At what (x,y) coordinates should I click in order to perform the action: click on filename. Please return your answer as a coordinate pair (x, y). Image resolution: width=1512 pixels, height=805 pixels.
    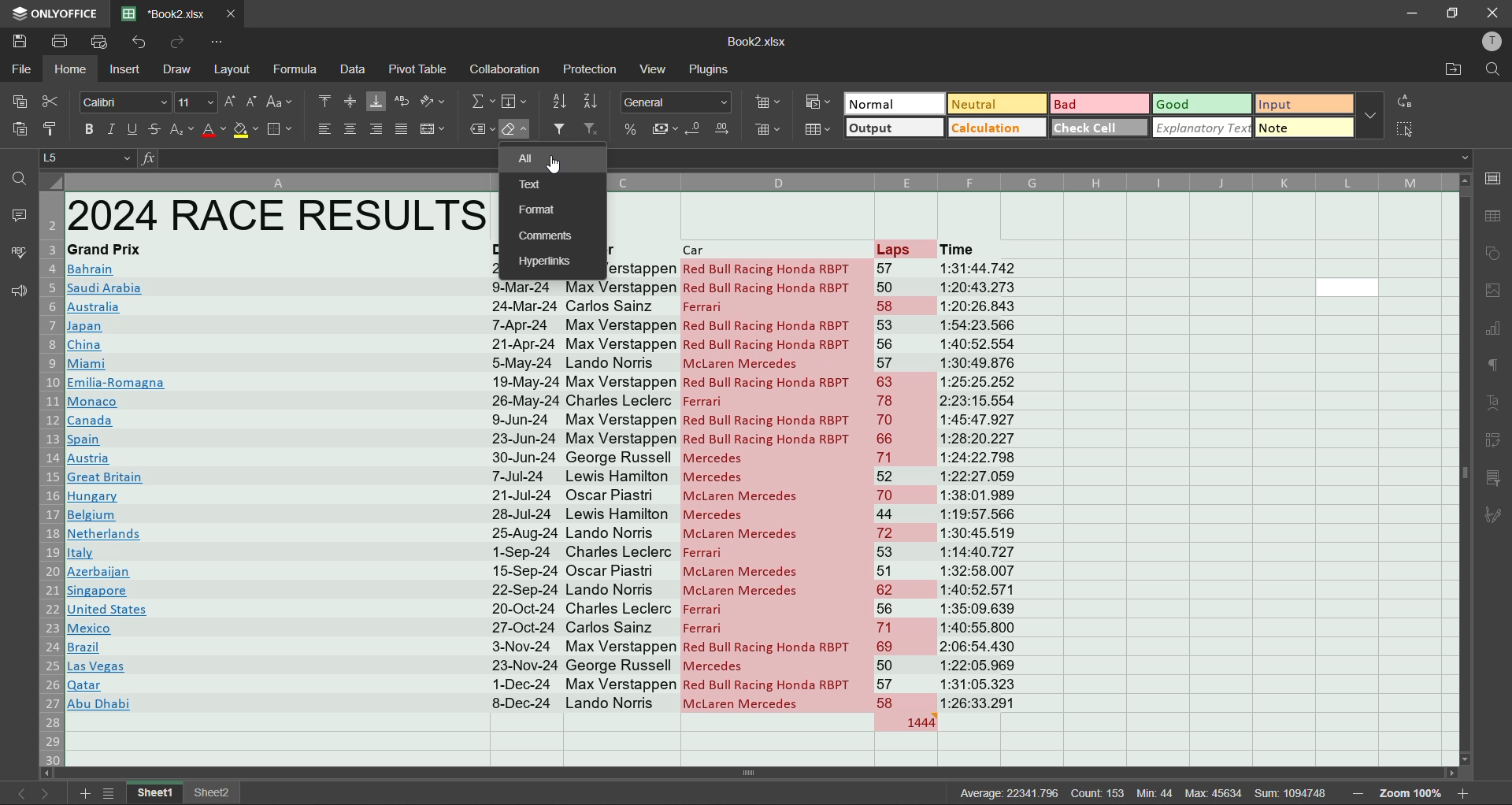
    Looking at the image, I should click on (756, 42).